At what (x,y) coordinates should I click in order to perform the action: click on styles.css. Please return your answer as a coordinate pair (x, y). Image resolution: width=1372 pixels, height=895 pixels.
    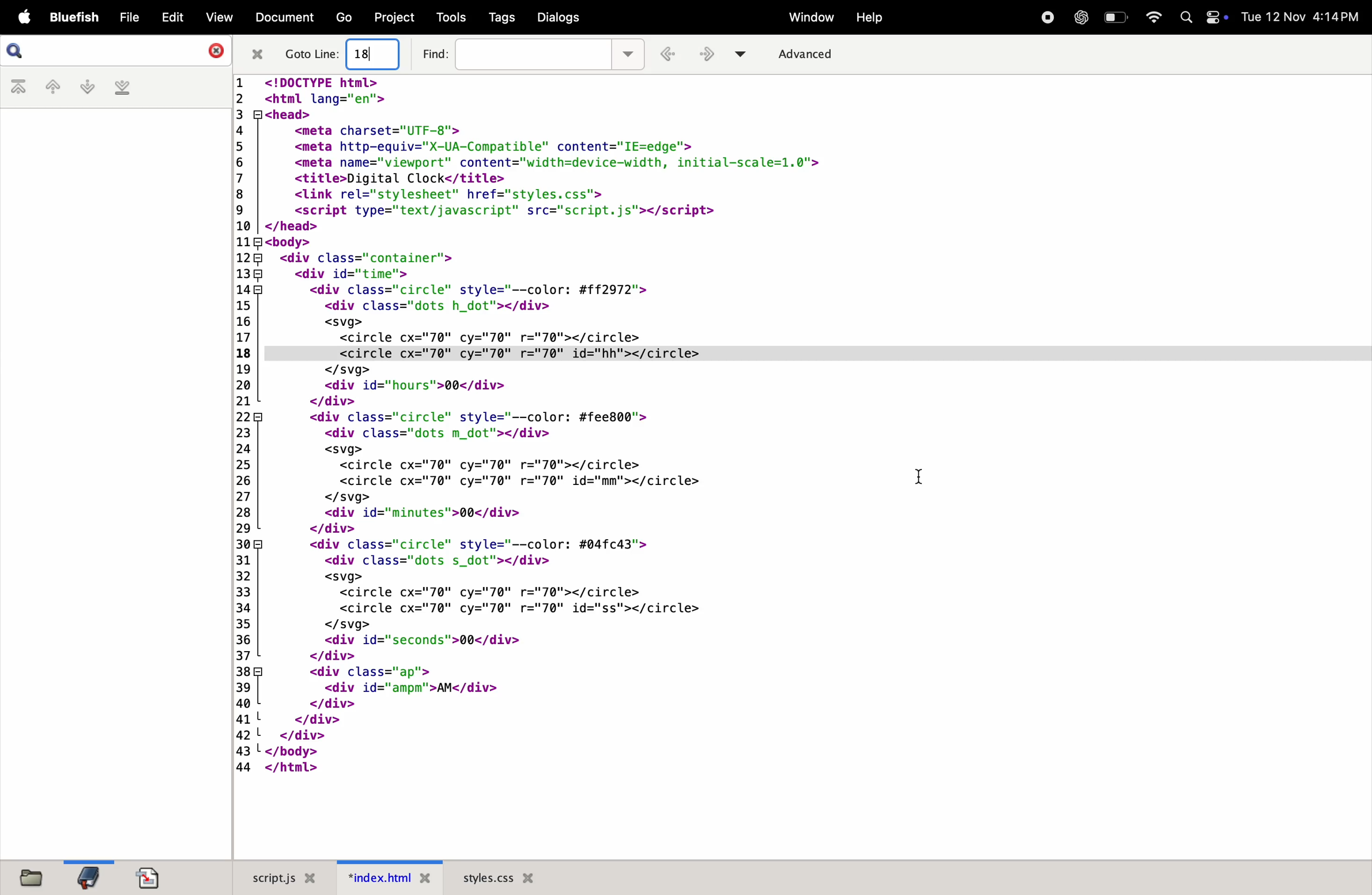
    Looking at the image, I should click on (498, 875).